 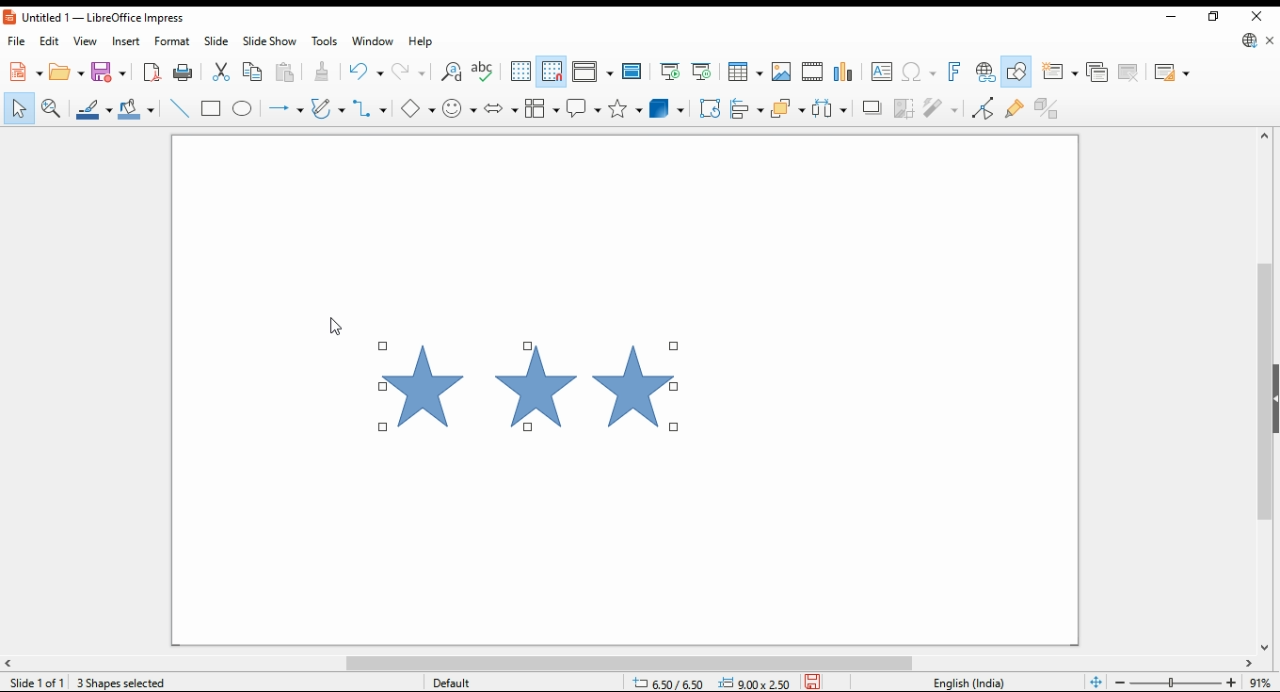 I want to click on slide info, so click(x=40, y=680).